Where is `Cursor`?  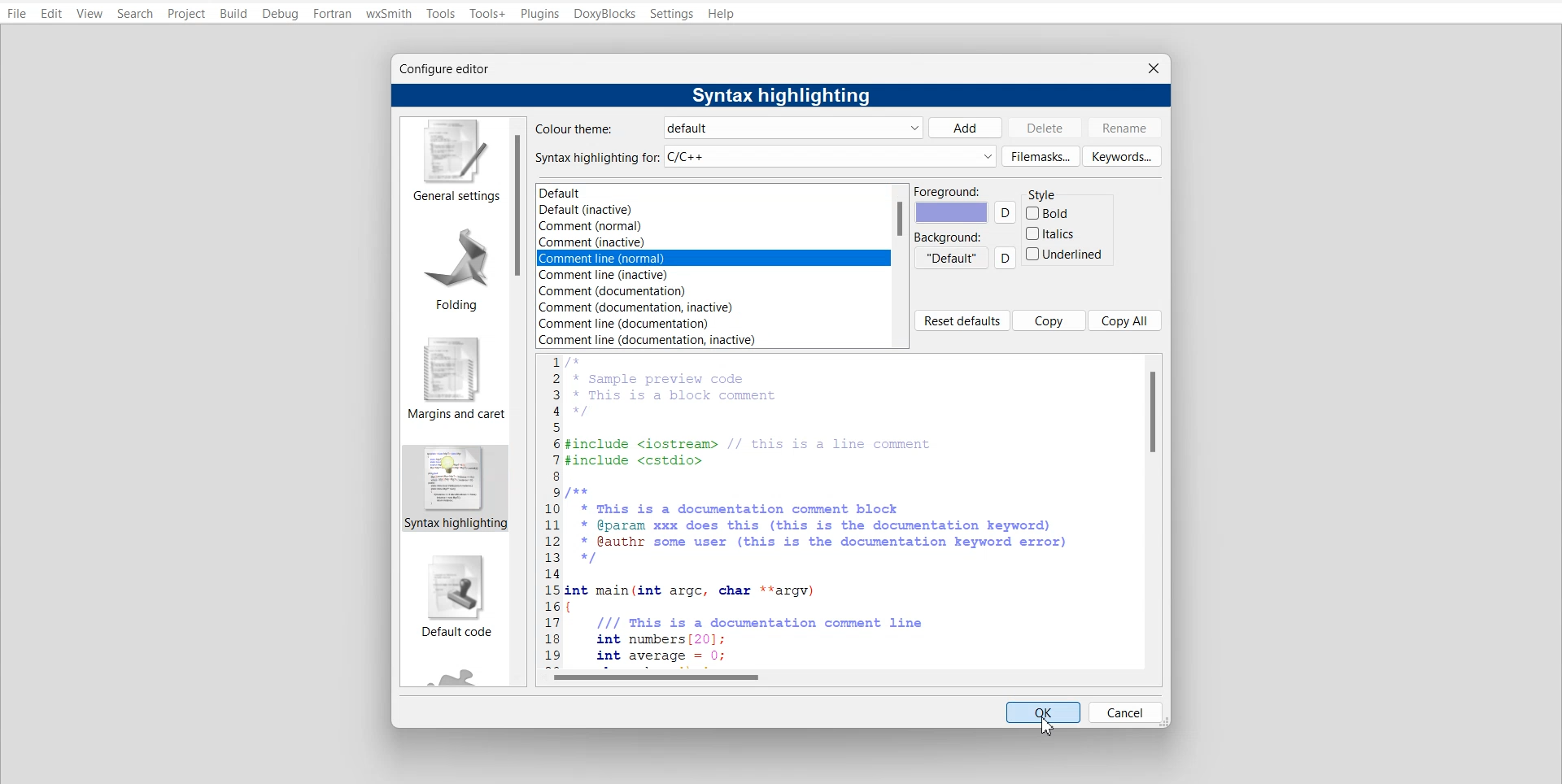
Cursor is located at coordinates (1053, 728).